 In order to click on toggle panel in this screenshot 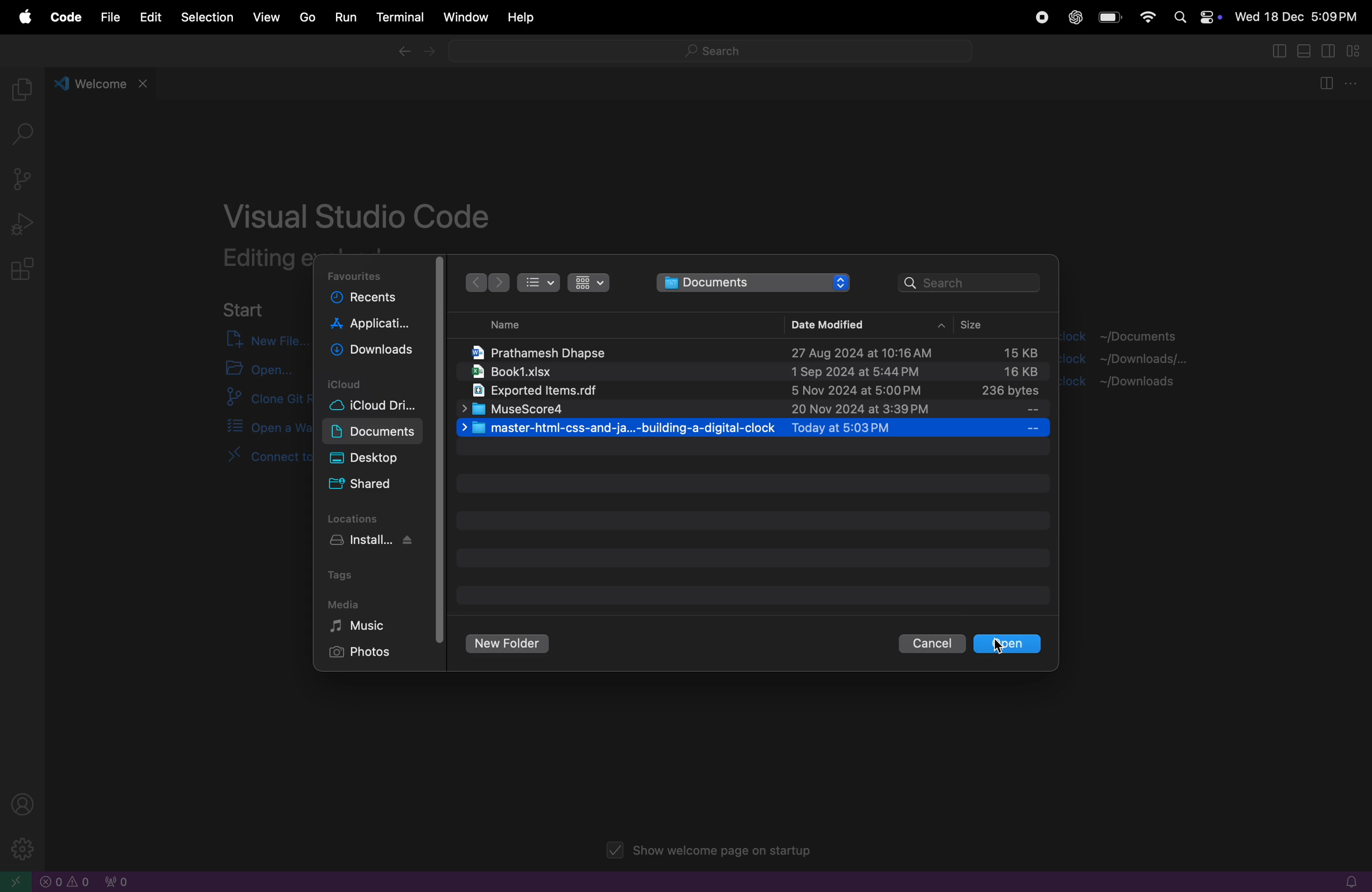, I will do `click(1306, 51)`.